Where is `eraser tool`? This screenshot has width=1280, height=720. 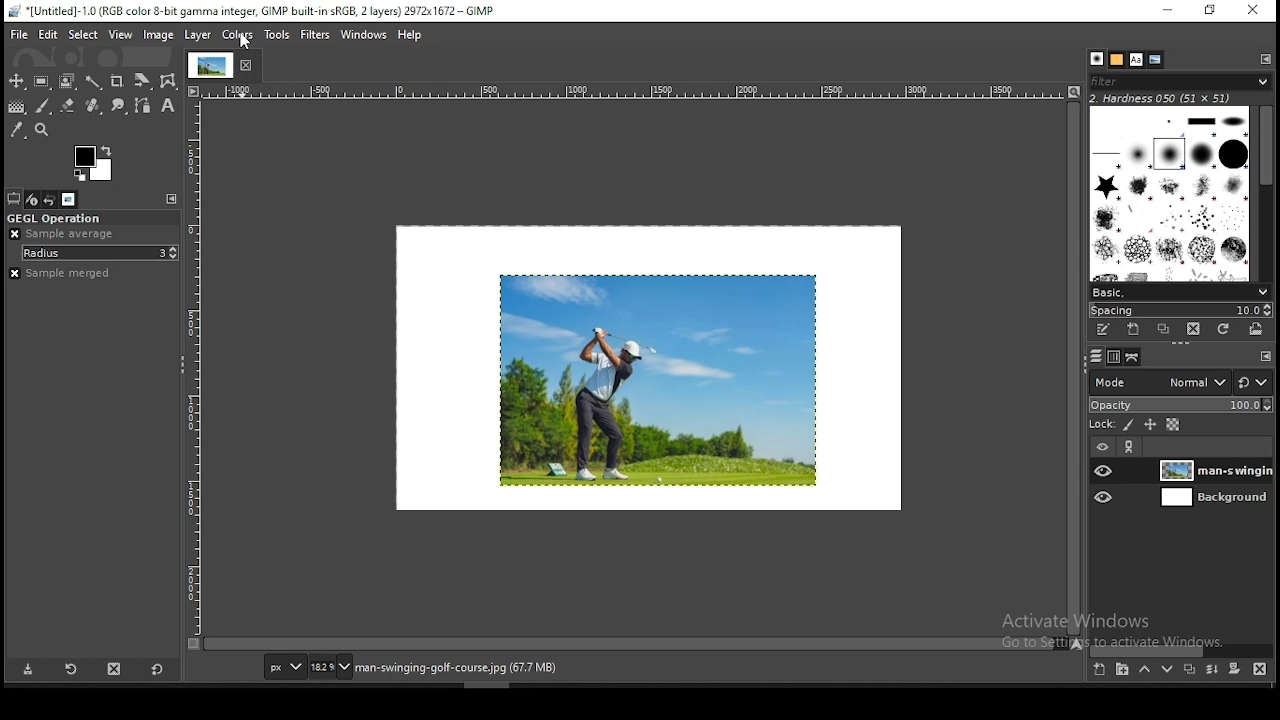 eraser tool is located at coordinates (68, 106).